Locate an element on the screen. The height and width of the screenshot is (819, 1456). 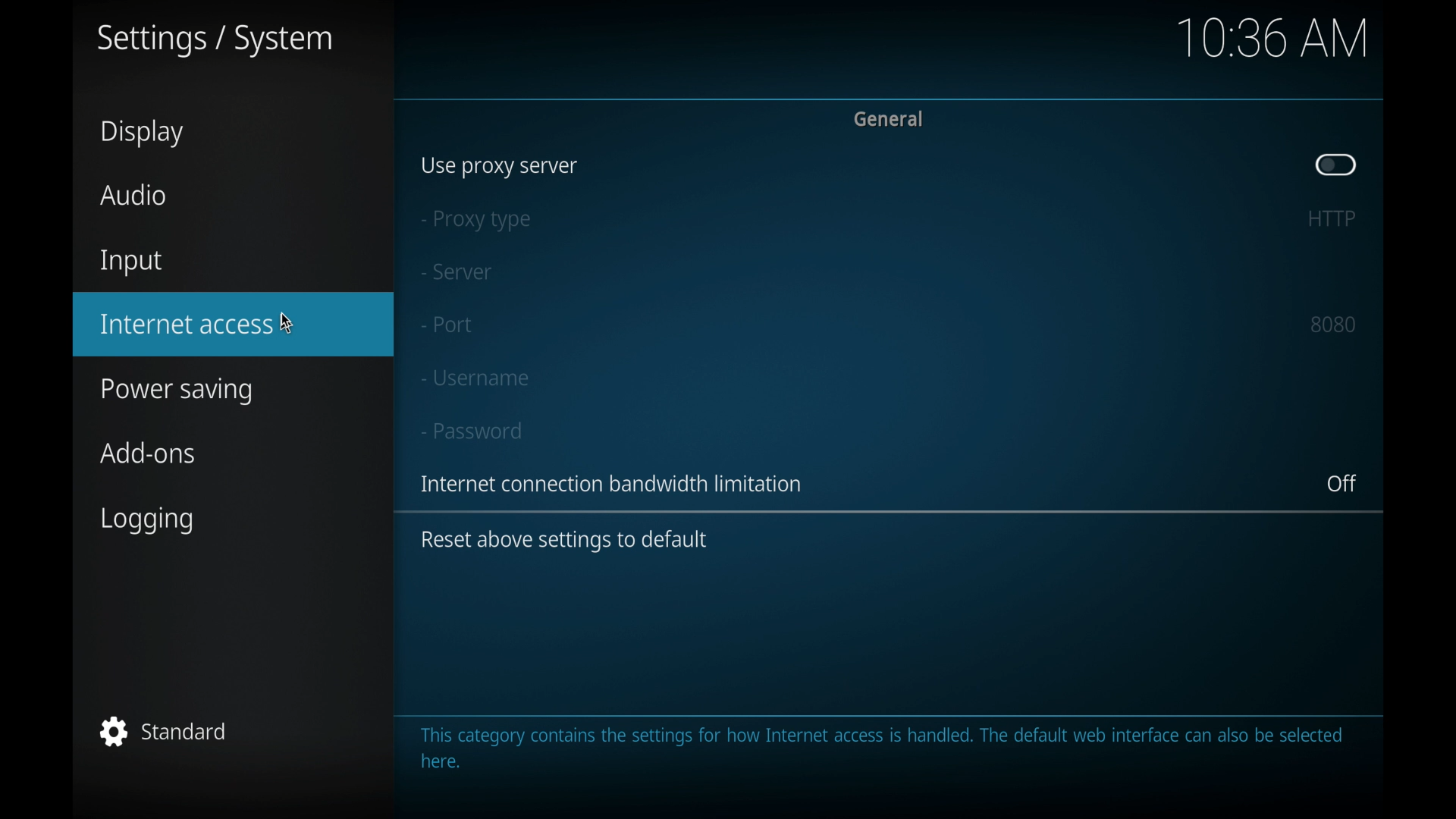
This category contains the settings for how Internet access is handled. The default web interface can also be selected here. is located at coordinates (893, 749).